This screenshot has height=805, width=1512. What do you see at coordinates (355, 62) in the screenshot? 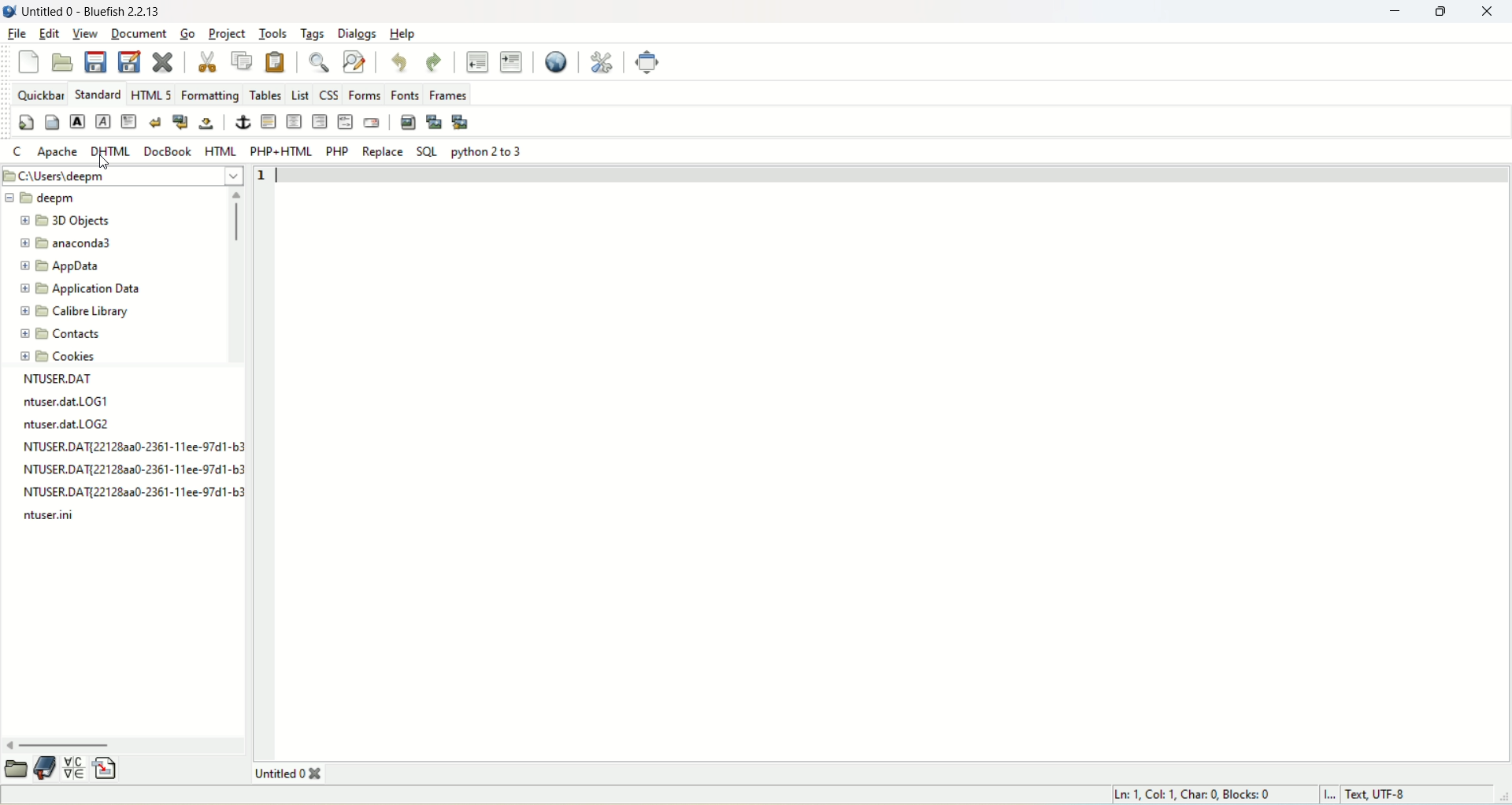
I see `advanced find and replace` at bounding box center [355, 62].